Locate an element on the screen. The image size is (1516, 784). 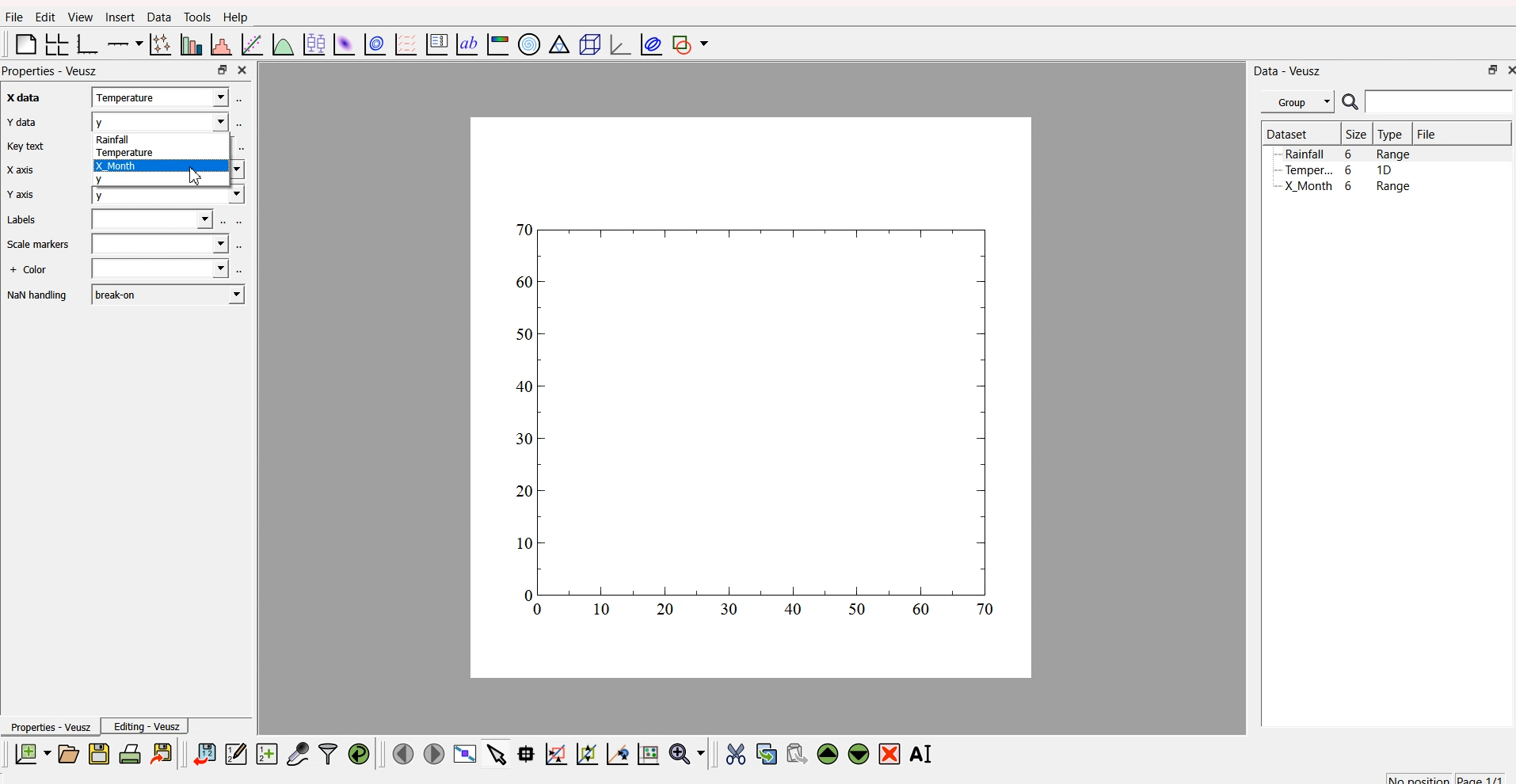
plot key is located at coordinates (436, 45).